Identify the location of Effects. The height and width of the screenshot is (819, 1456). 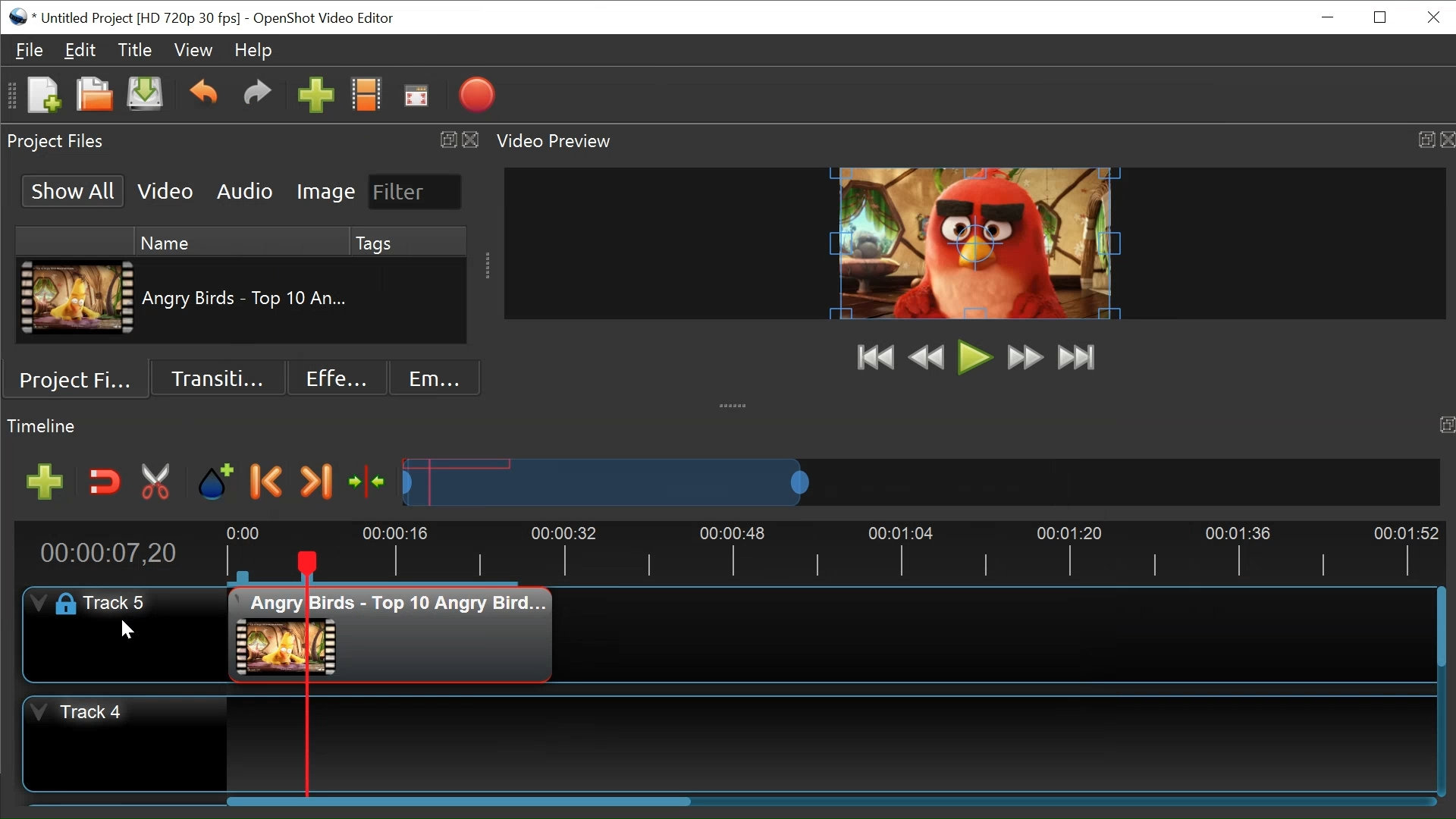
(336, 378).